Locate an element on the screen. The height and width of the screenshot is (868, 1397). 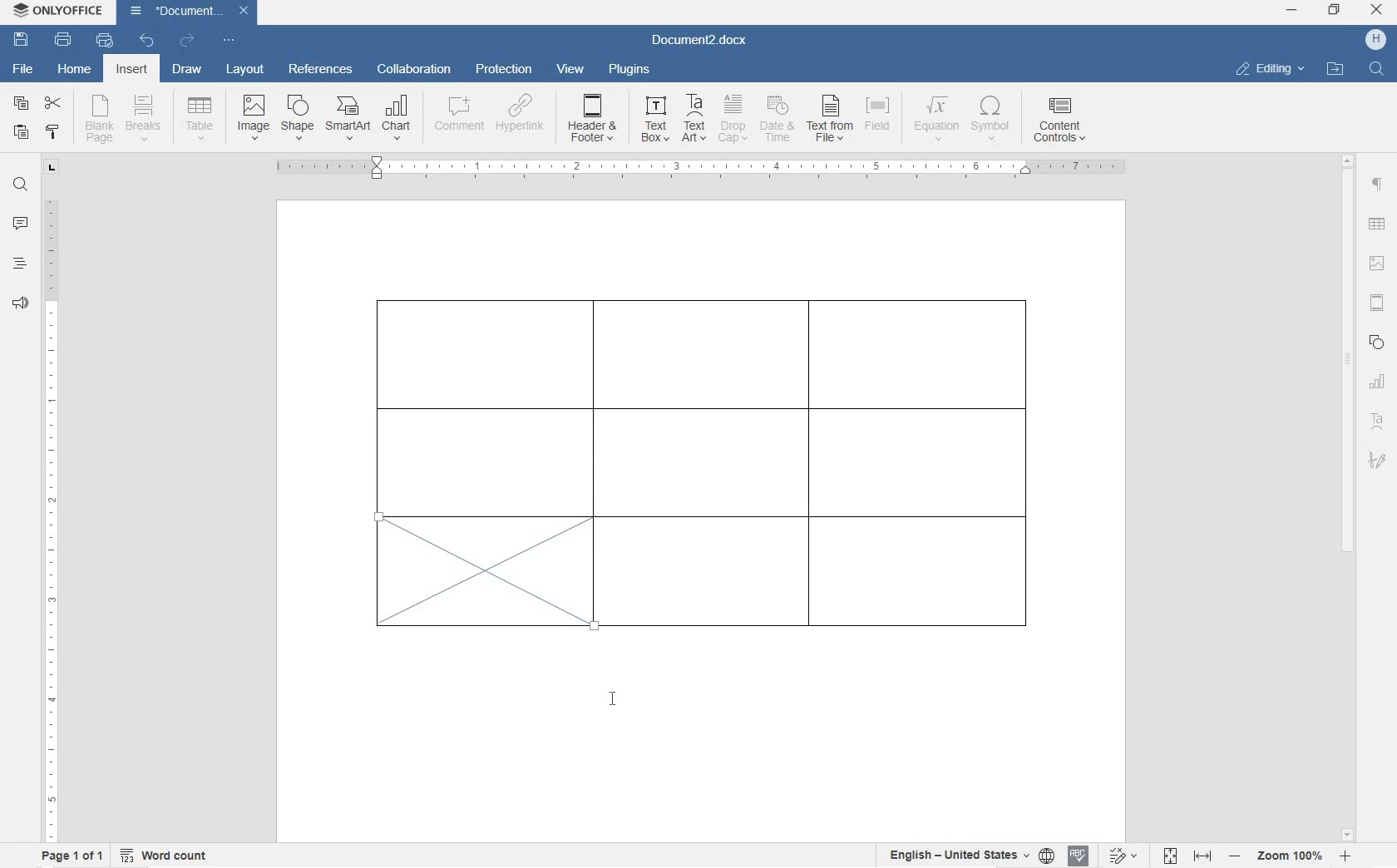
redo is located at coordinates (187, 42).